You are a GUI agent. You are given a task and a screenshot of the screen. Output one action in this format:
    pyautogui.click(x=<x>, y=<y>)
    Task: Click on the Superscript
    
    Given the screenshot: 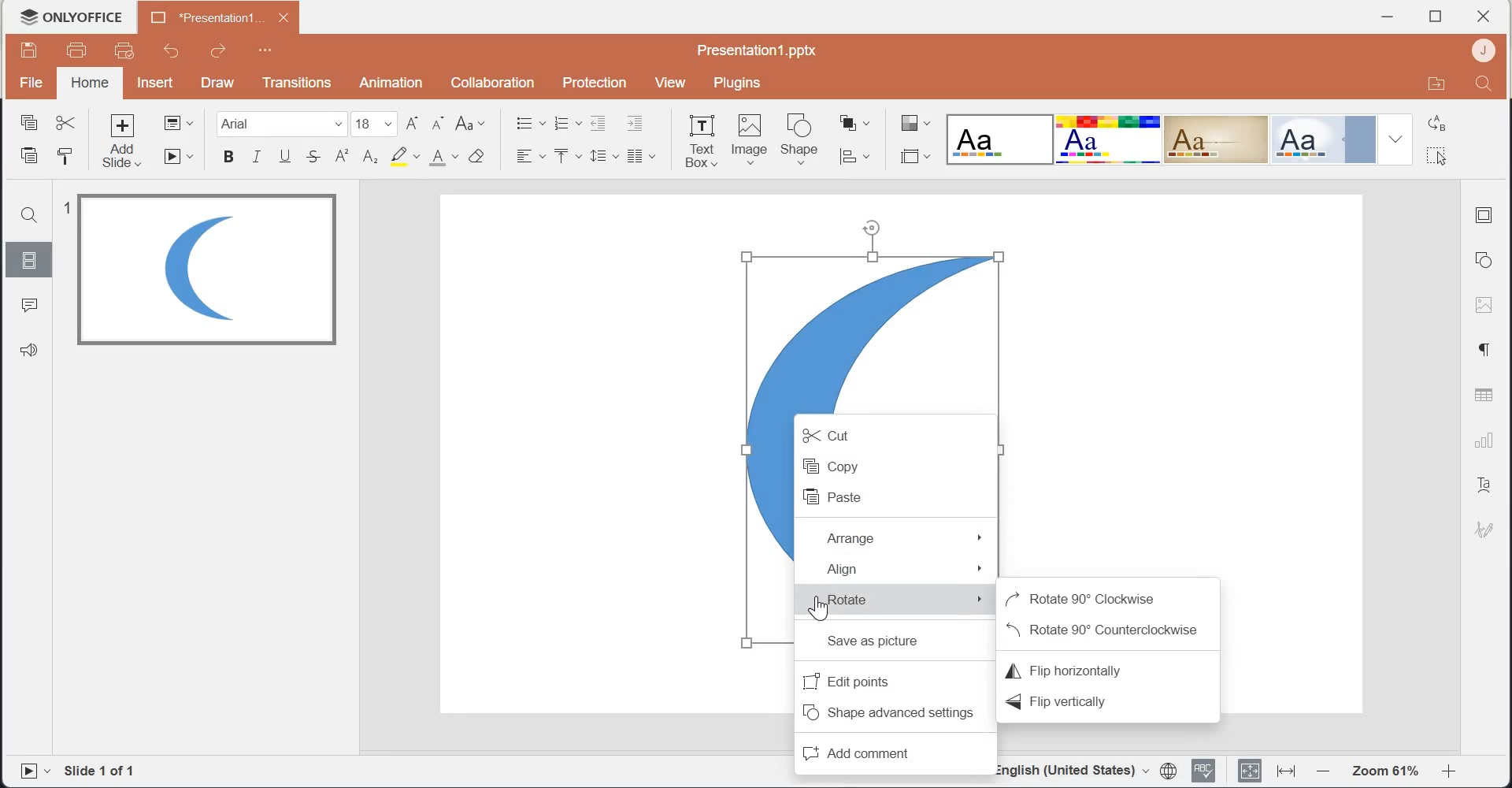 What is the action you would take?
    pyautogui.click(x=340, y=157)
    